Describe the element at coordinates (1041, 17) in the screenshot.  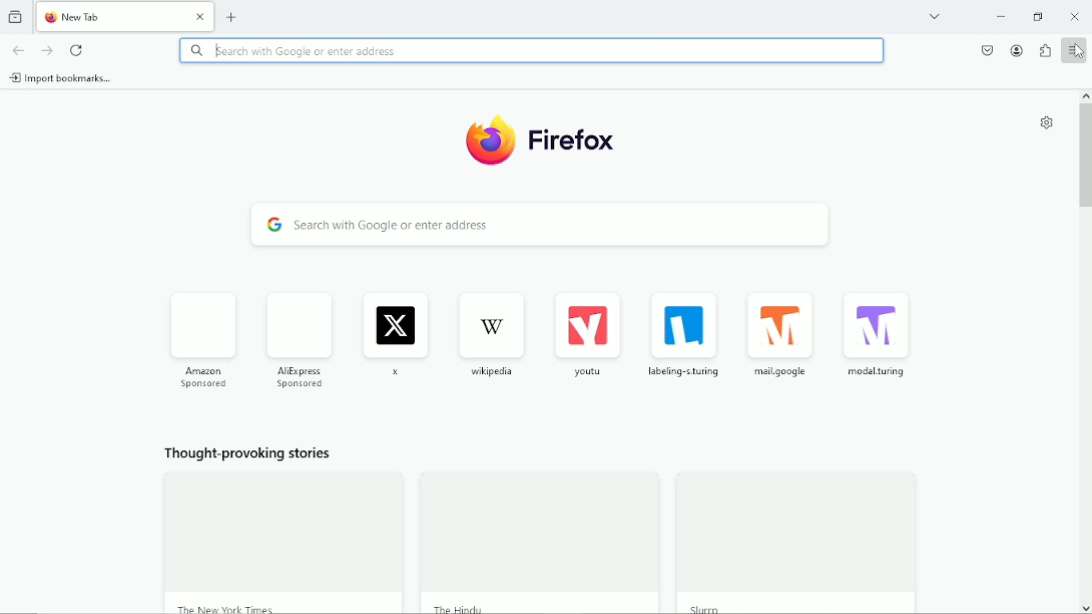
I see `Restore down` at that location.